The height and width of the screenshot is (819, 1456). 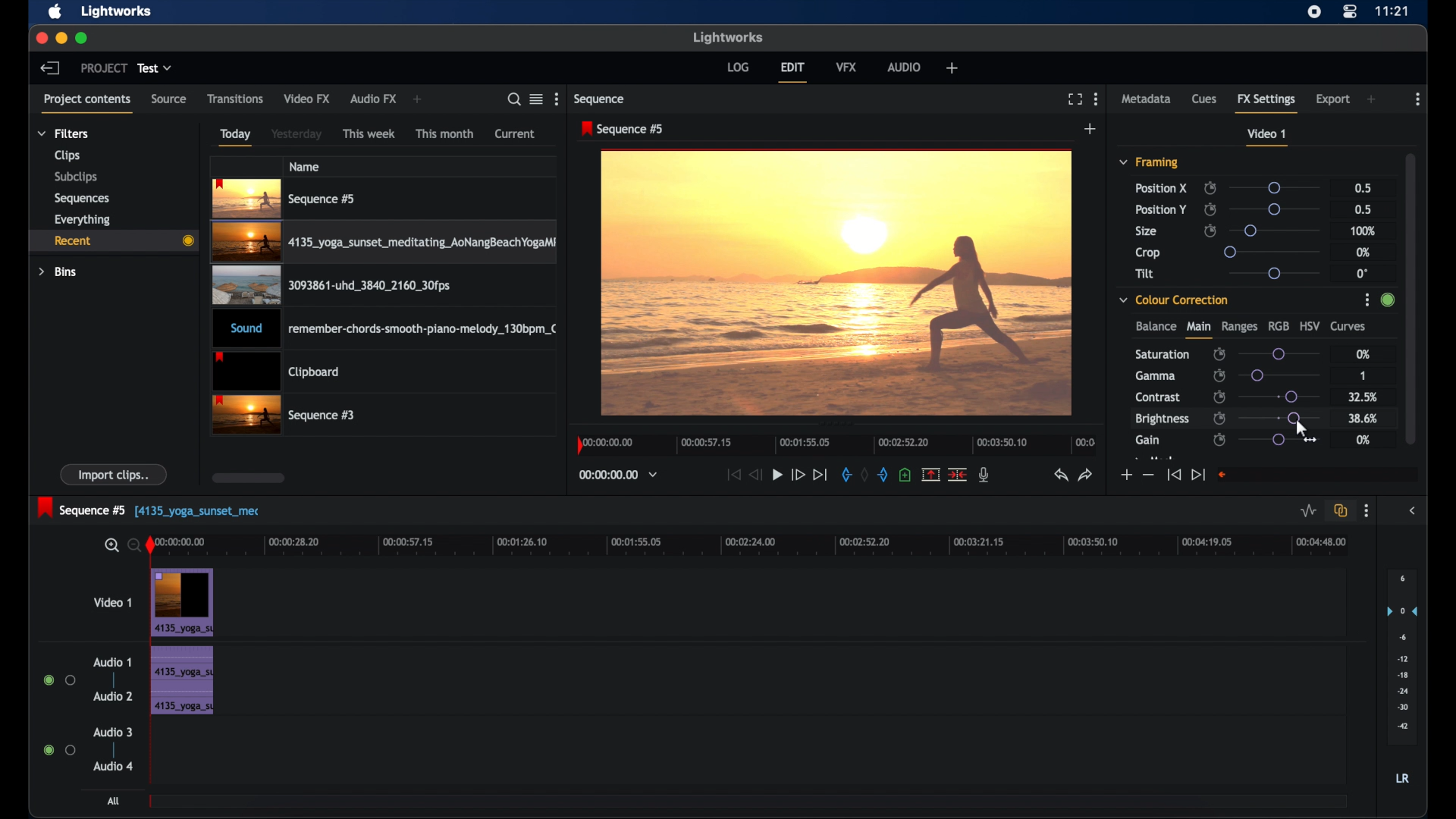 I want to click on in mark, so click(x=846, y=477).